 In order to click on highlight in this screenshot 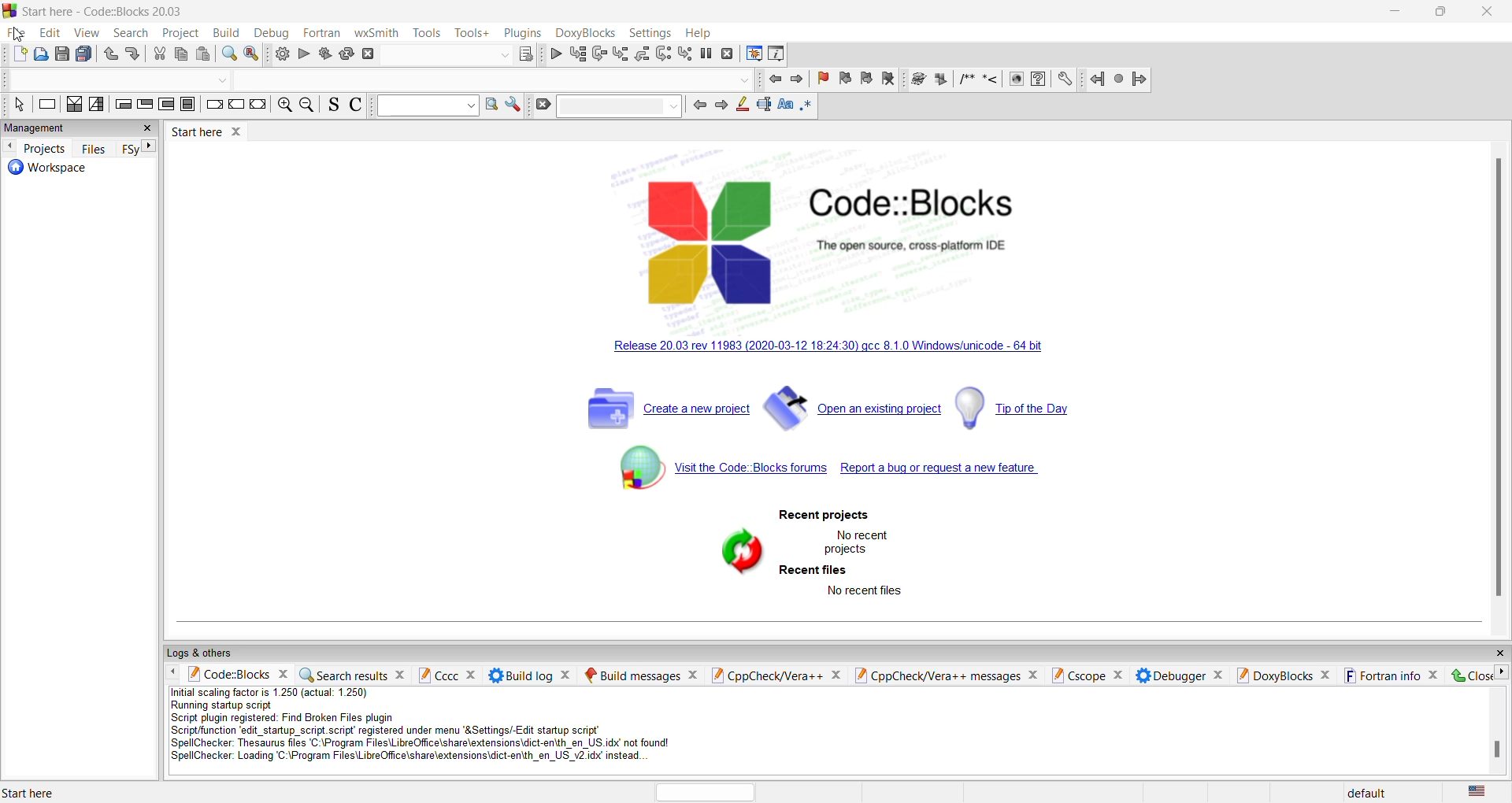, I will do `click(741, 105)`.